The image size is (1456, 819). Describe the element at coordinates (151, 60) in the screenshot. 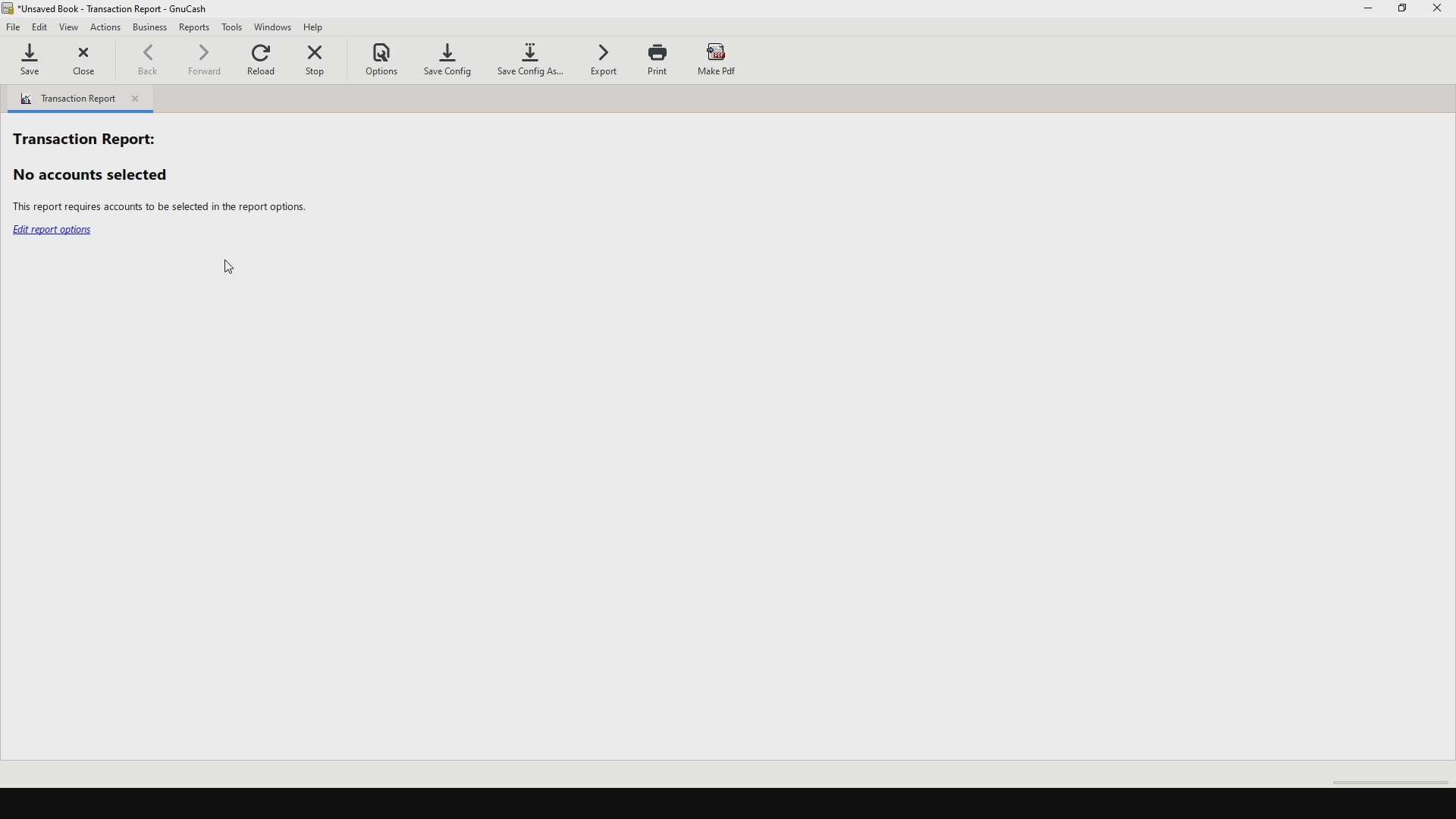

I see `back` at that location.